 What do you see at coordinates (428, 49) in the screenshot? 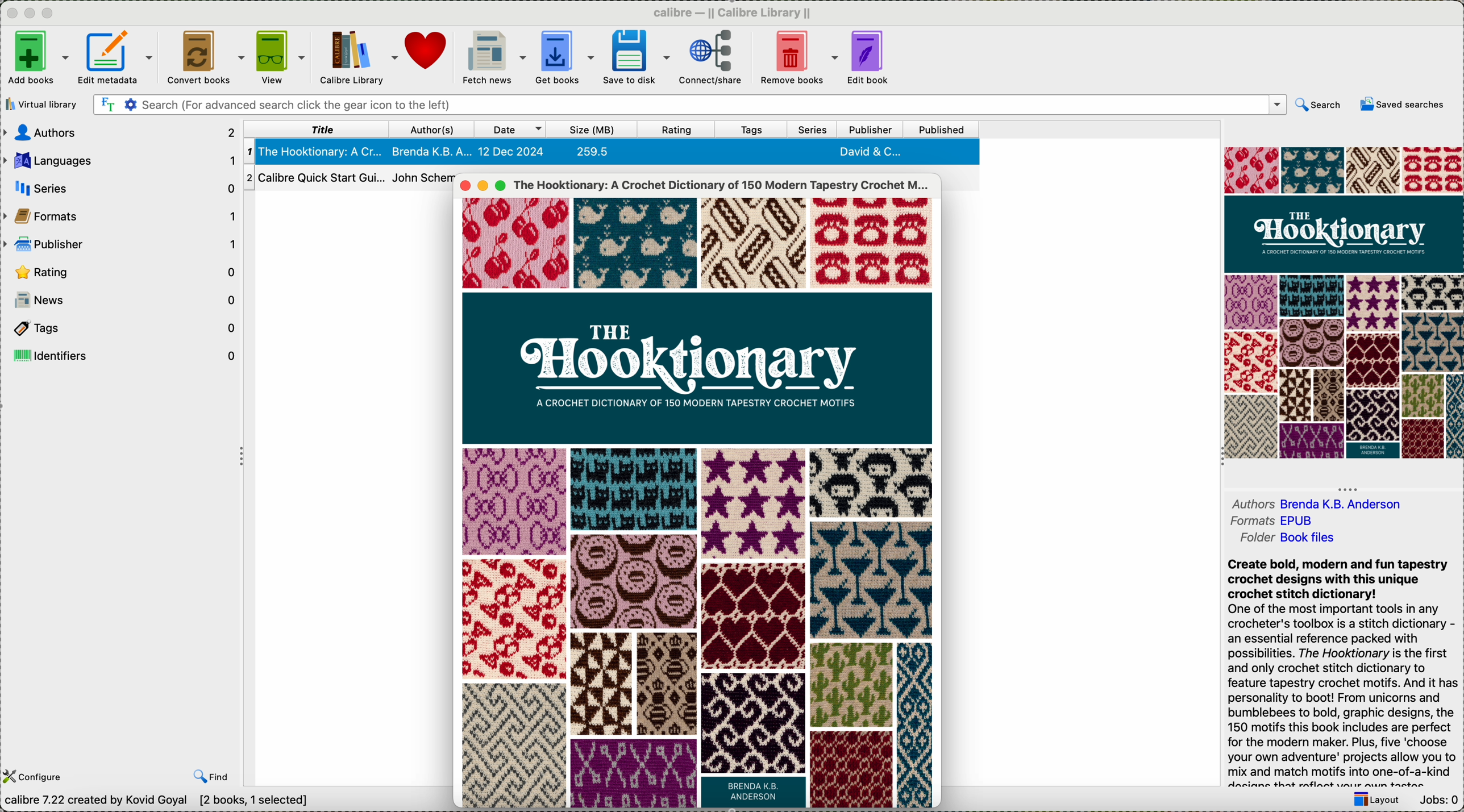
I see `donate` at bounding box center [428, 49].